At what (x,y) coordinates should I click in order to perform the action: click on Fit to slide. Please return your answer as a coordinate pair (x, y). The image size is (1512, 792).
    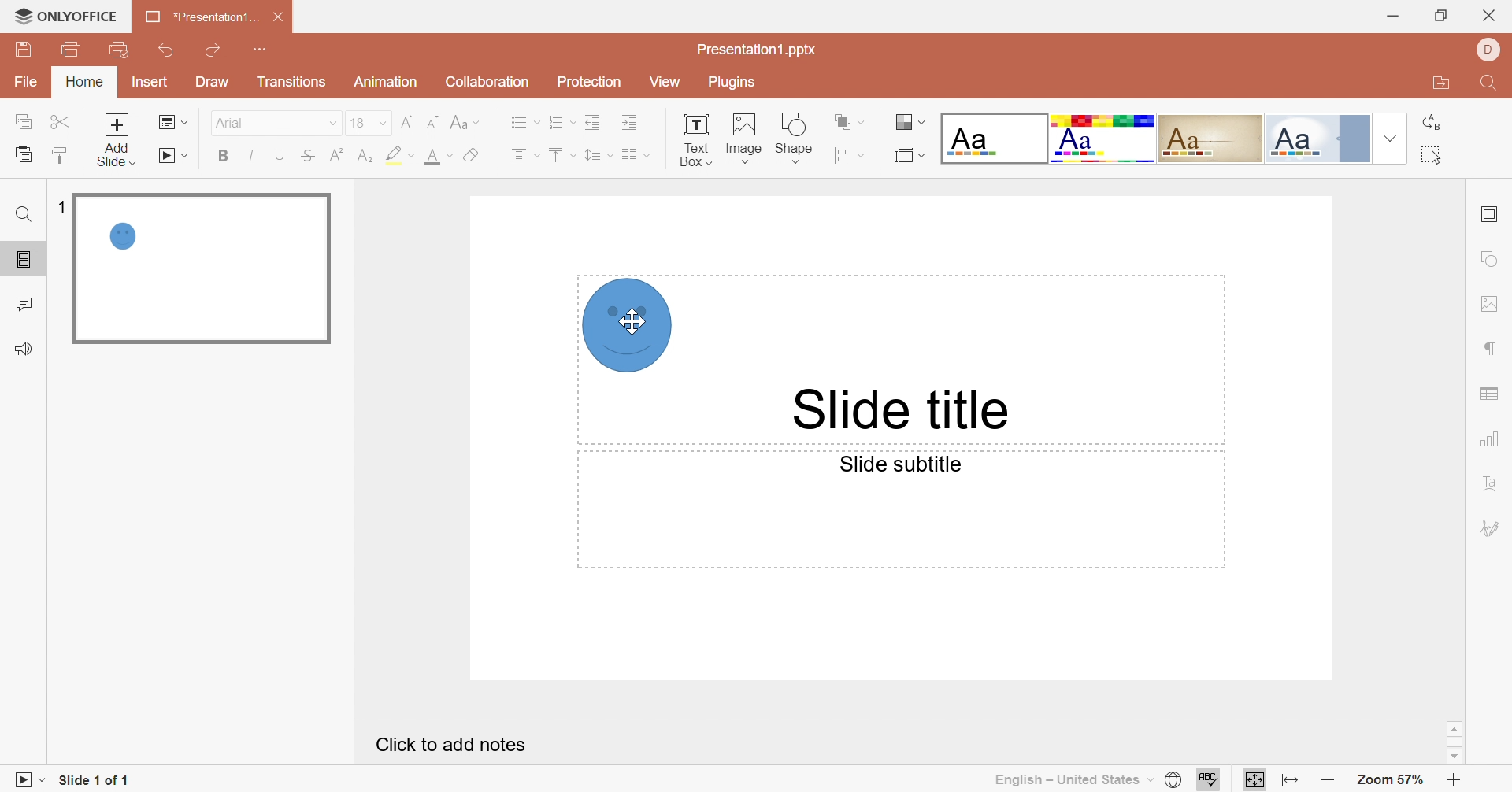
    Looking at the image, I should click on (1254, 780).